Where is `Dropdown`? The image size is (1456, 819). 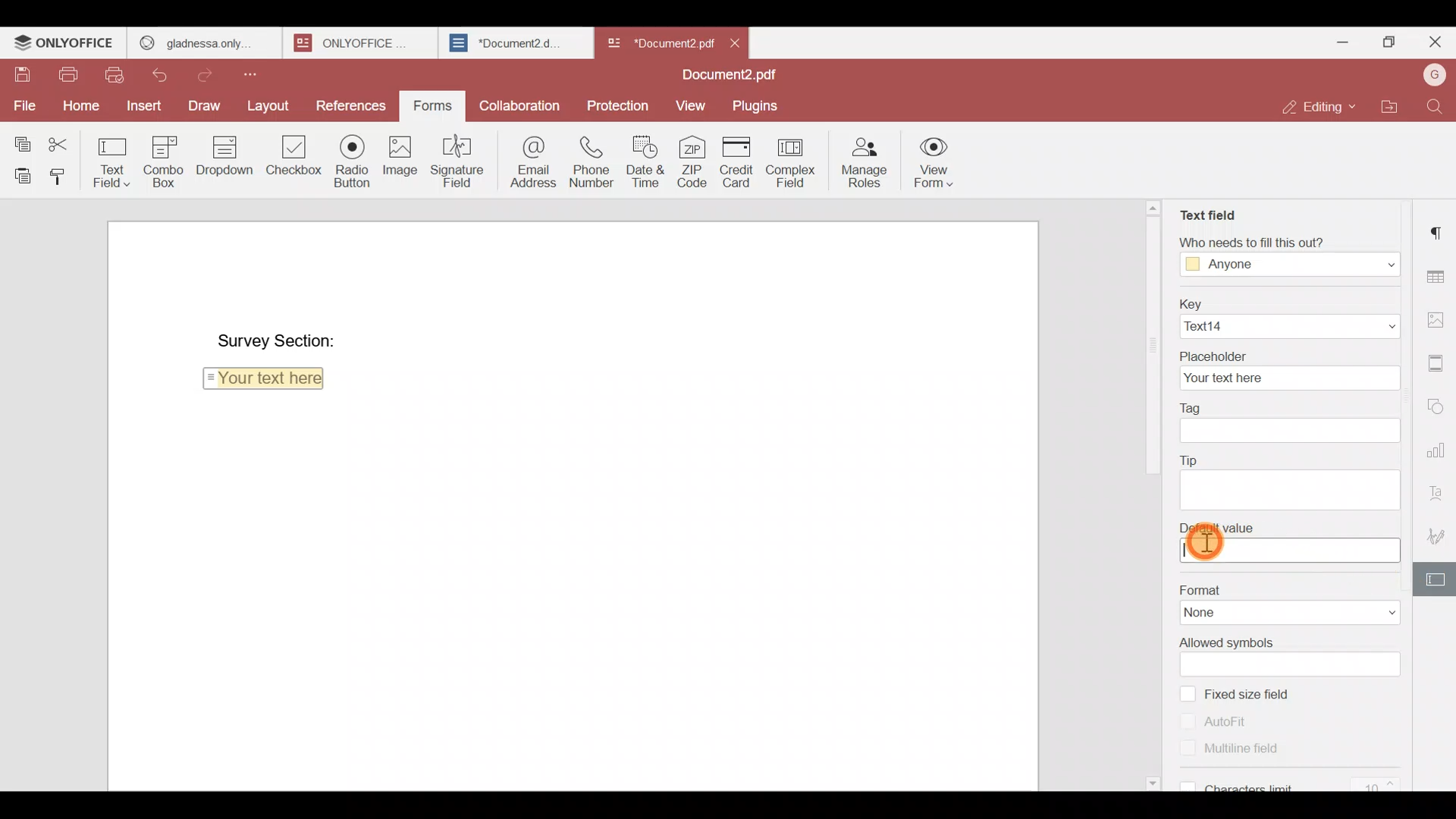
Dropdown is located at coordinates (221, 158).